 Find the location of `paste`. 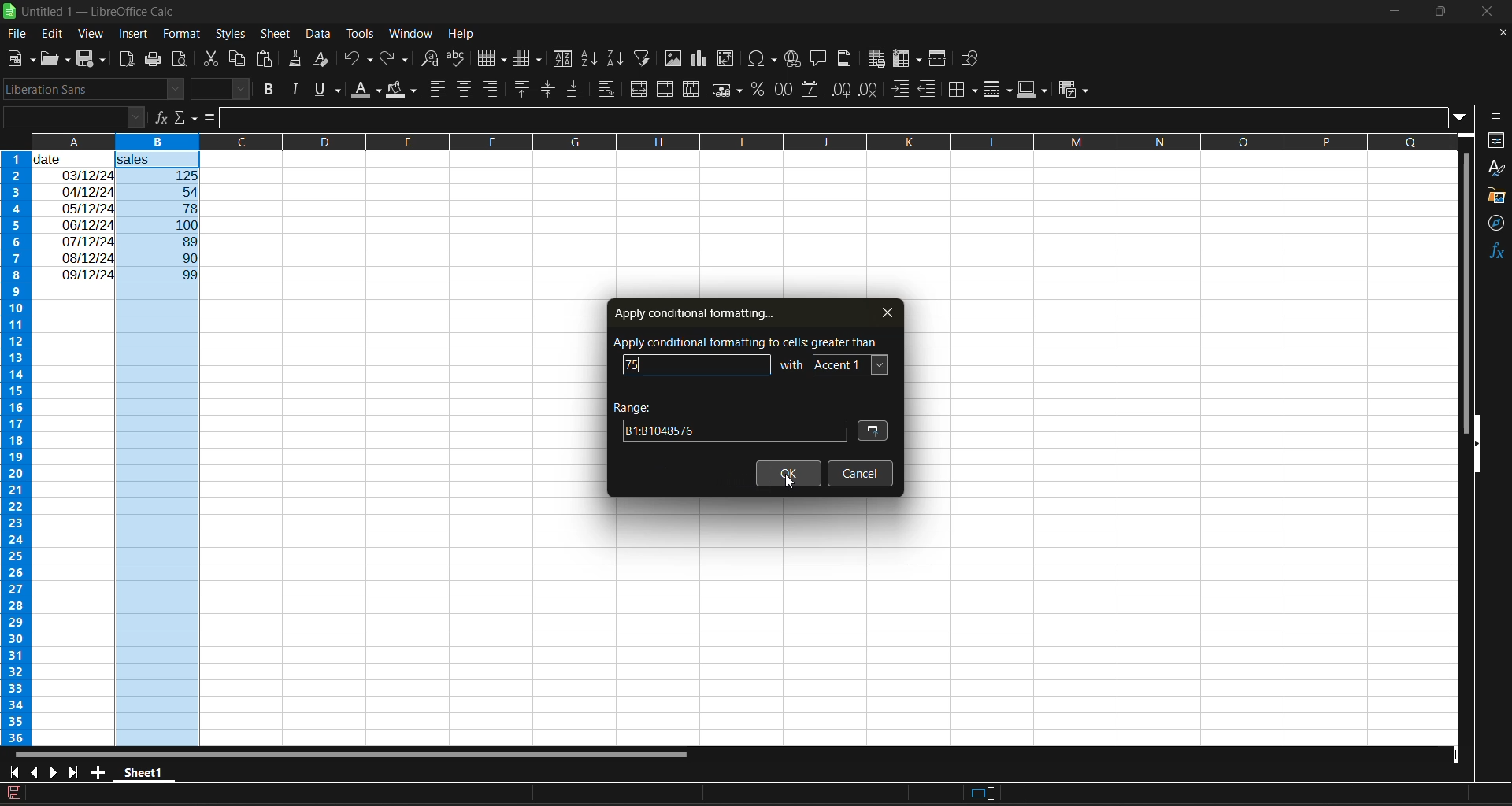

paste is located at coordinates (267, 59).